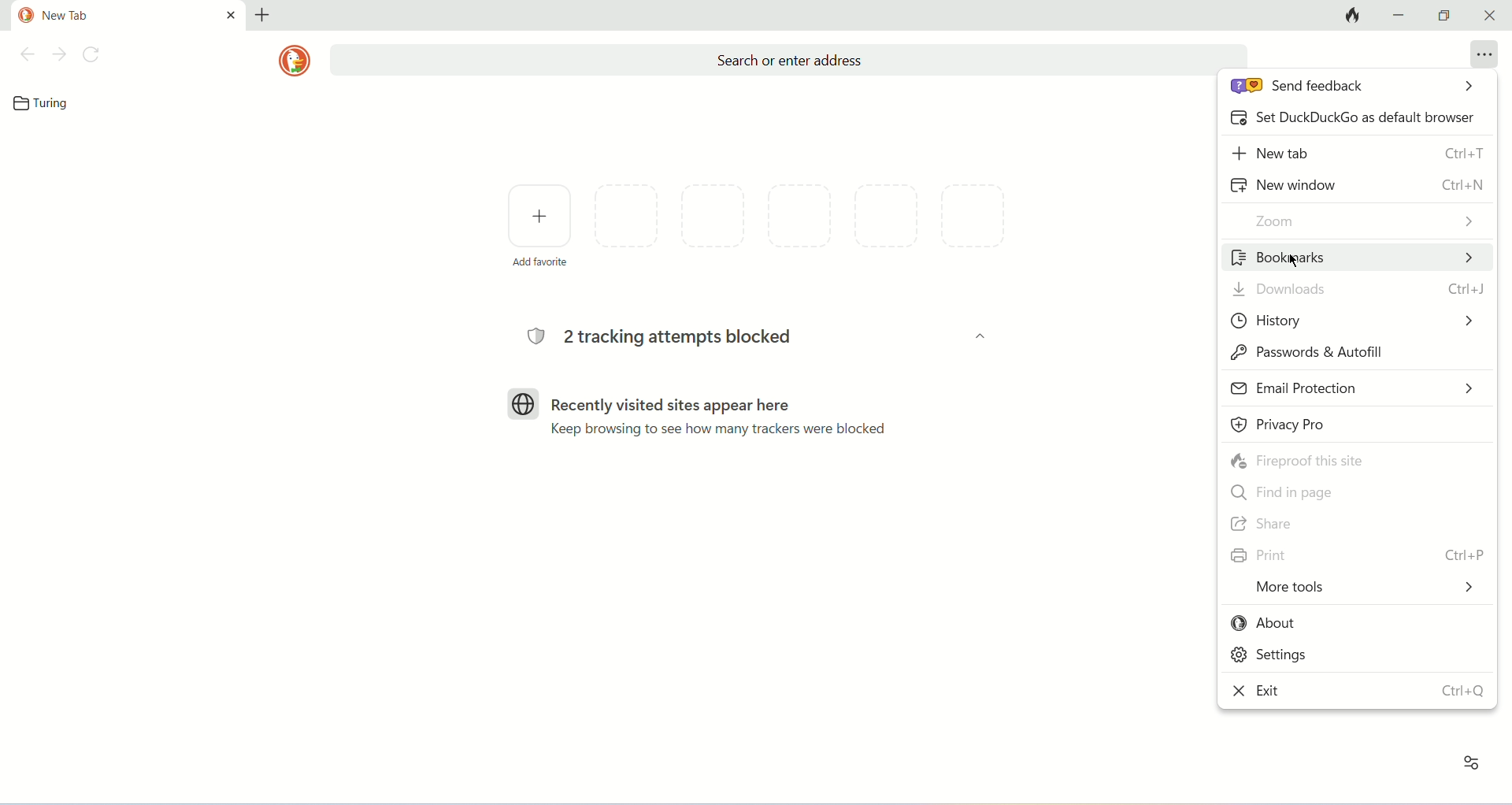  Describe the element at coordinates (46, 103) in the screenshot. I see `bookmark` at that location.